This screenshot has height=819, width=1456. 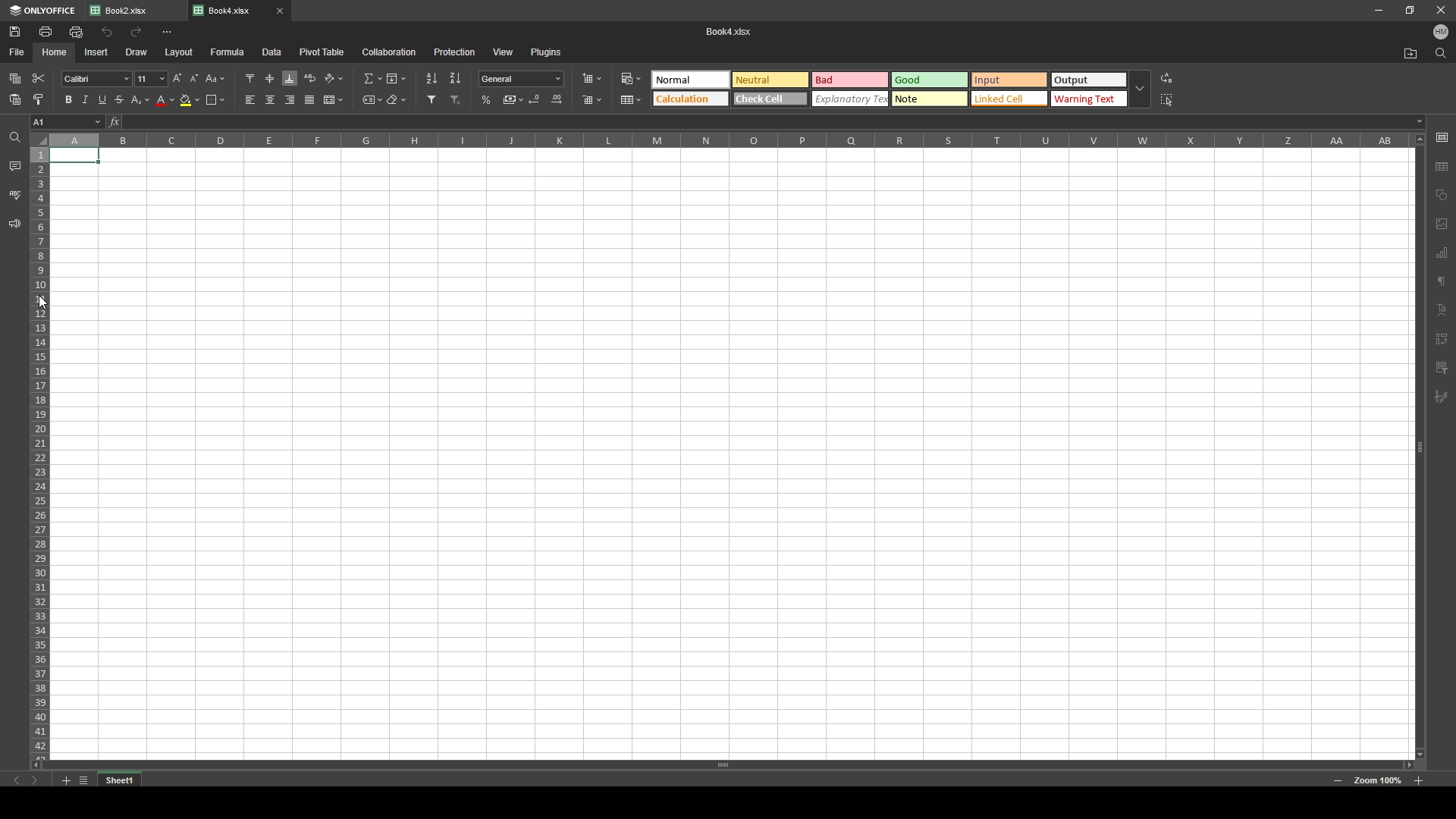 I want to click on redo, so click(x=137, y=31).